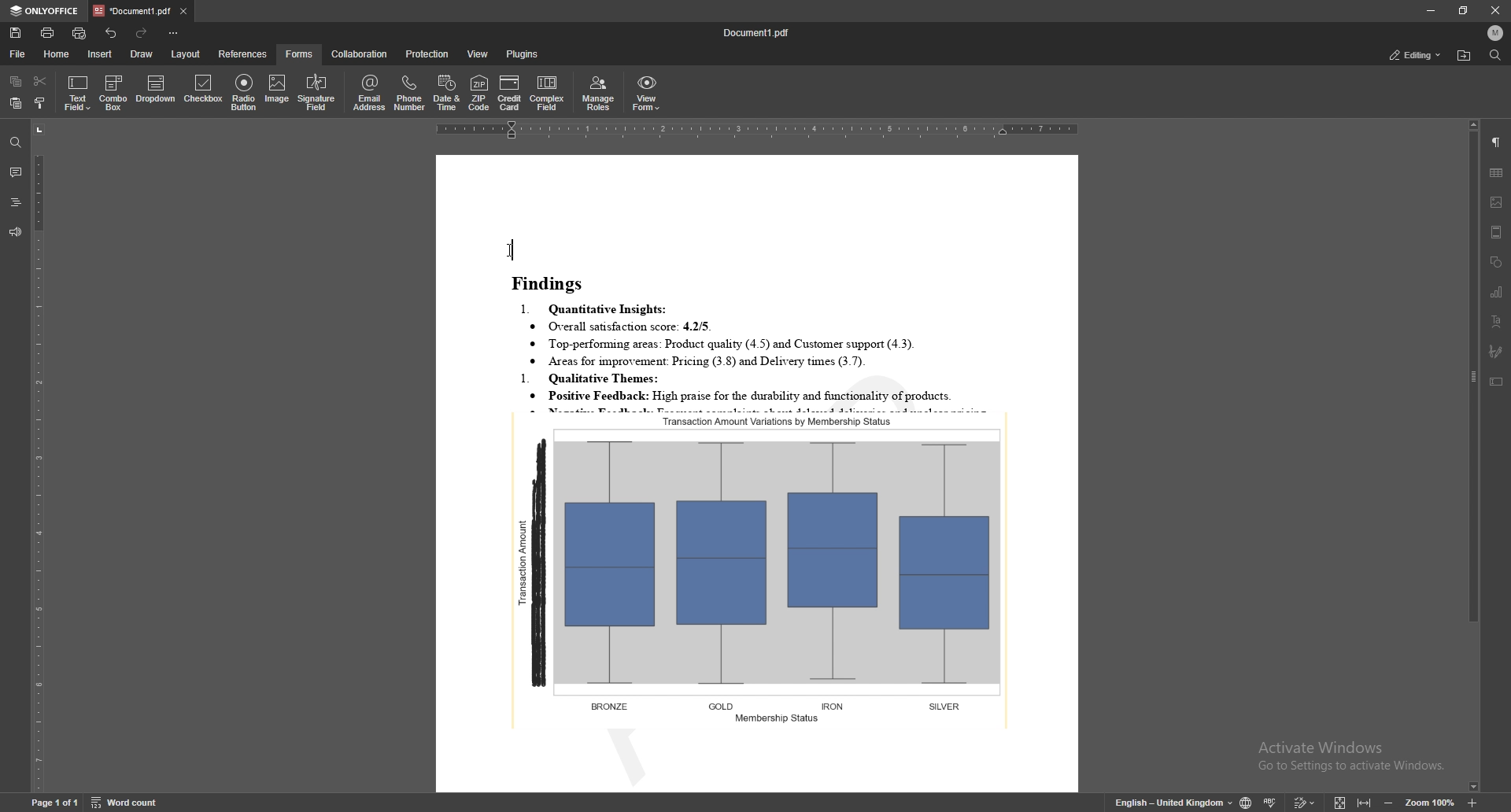 This screenshot has height=812, width=1511. I want to click on save, so click(15, 34).